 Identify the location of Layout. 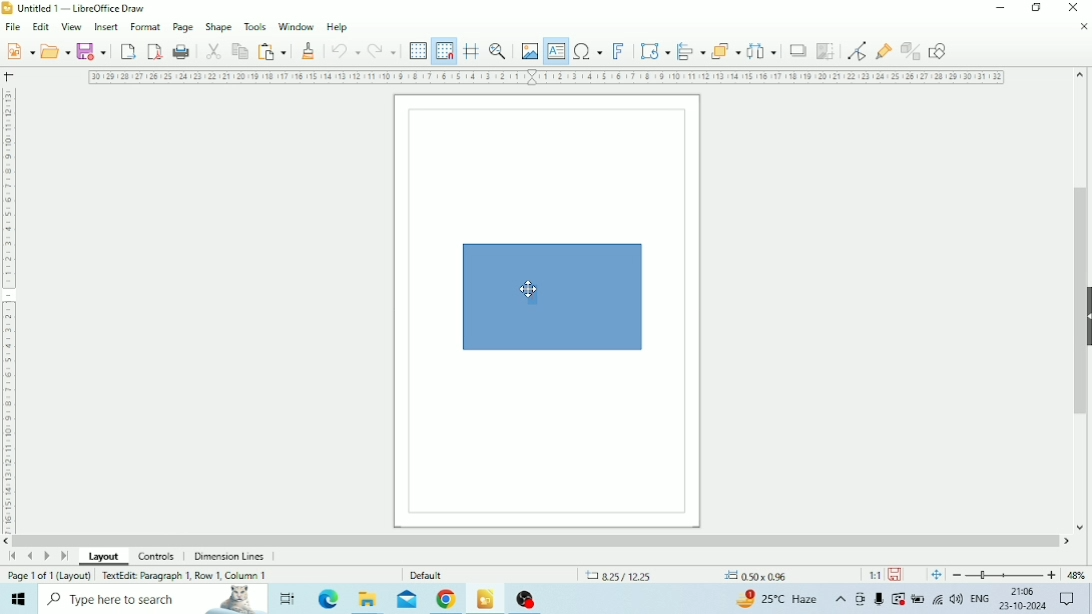
(104, 556).